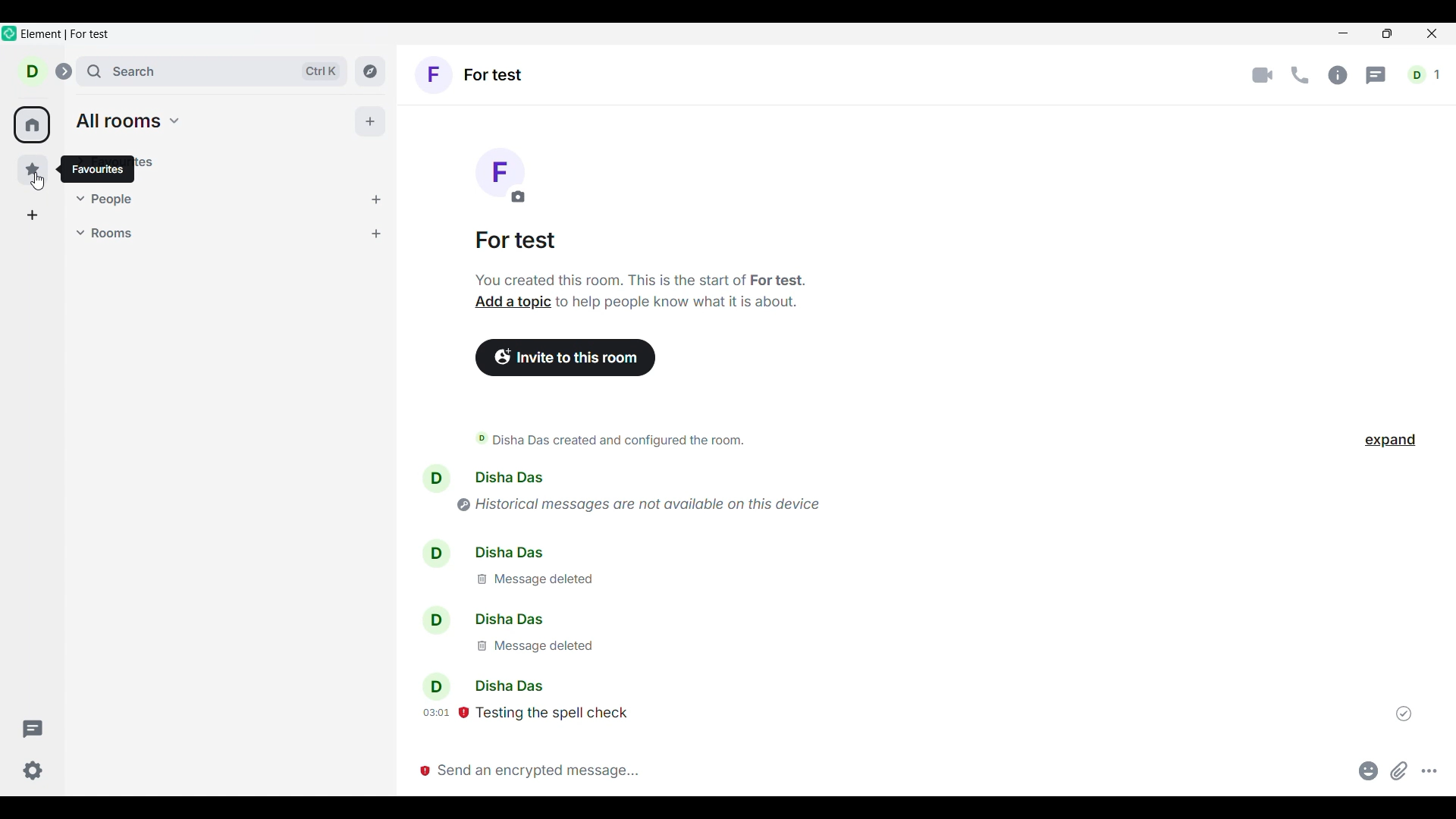 This screenshot has height=819, width=1456. What do you see at coordinates (104, 234) in the screenshot?
I see `Rooms` at bounding box center [104, 234].